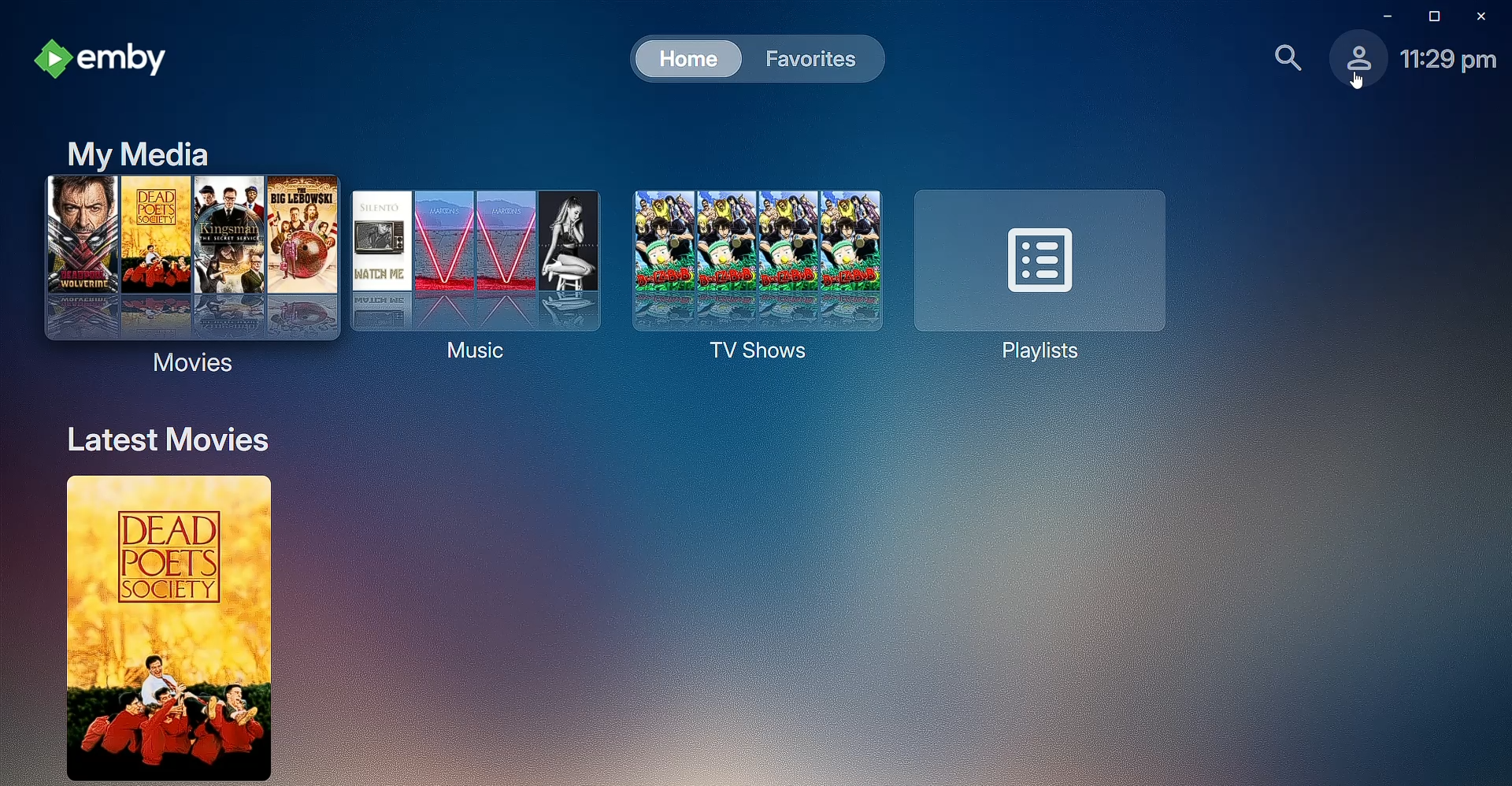 Image resolution: width=1512 pixels, height=786 pixels. Describe the element at coordinates (102, 62) in the screenshot. I see `emby` at that location.